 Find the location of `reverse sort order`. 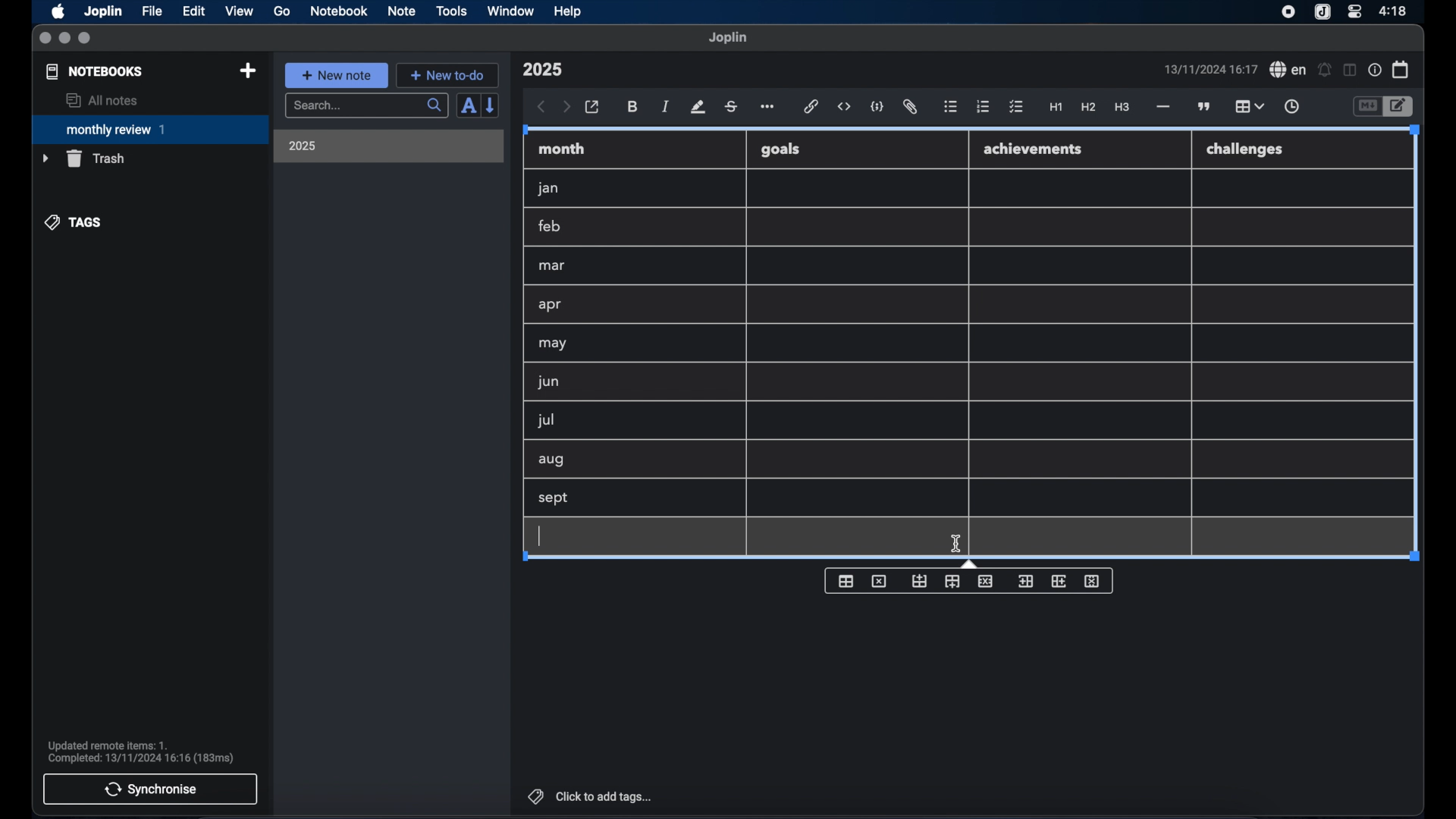

reverse sort order is located at coordinates (491, 105).